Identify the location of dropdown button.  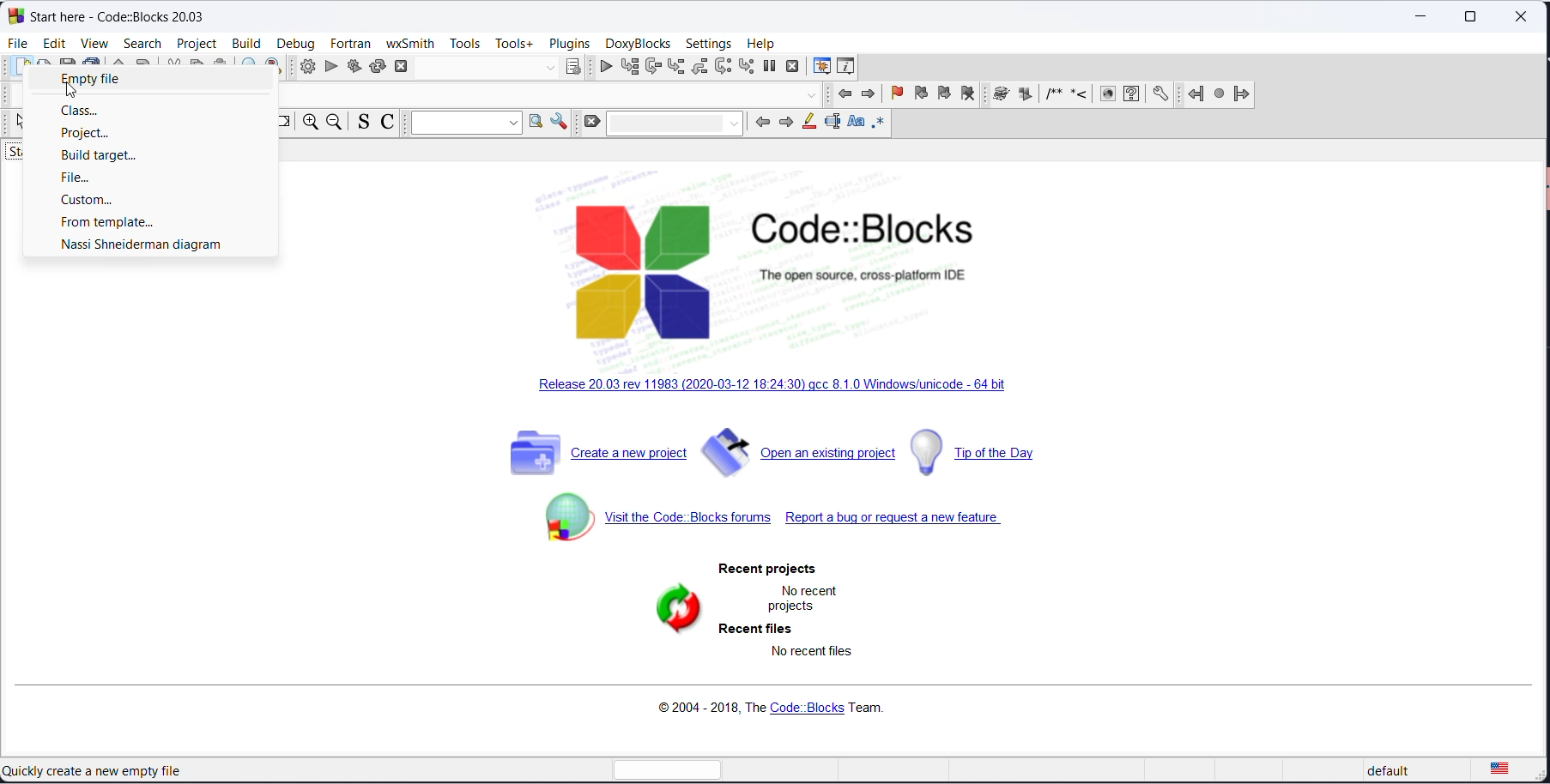
(814, 97).